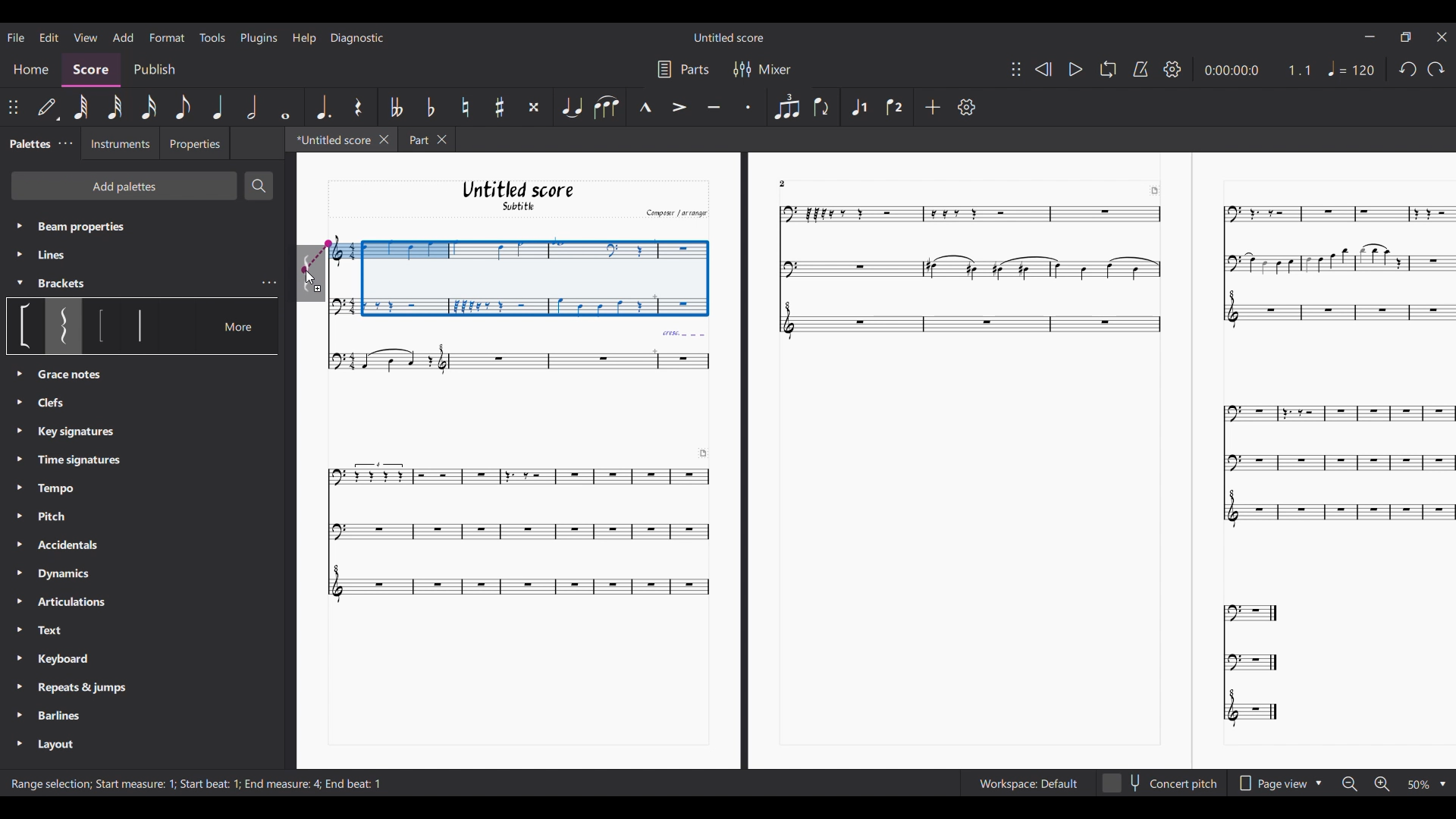 The image size is (1456, 819). Describe the element at coordinates (1338, 307) in the screenshot. I see `` at that location.